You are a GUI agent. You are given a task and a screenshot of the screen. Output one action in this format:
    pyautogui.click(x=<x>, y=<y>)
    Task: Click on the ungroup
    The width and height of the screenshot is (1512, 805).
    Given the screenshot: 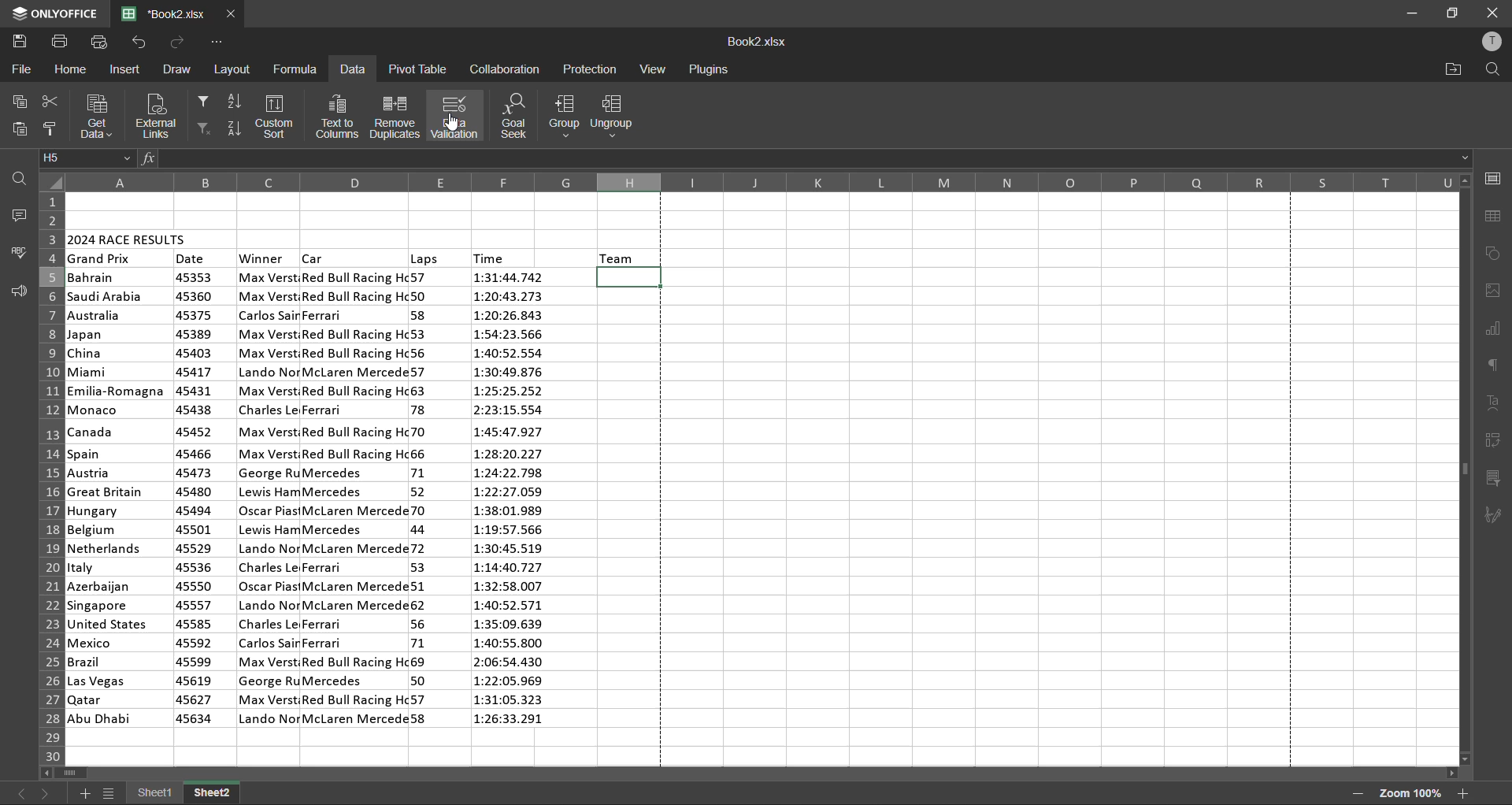 What is the action you would take?
    pyautogui.click(x=618, y=117)
    